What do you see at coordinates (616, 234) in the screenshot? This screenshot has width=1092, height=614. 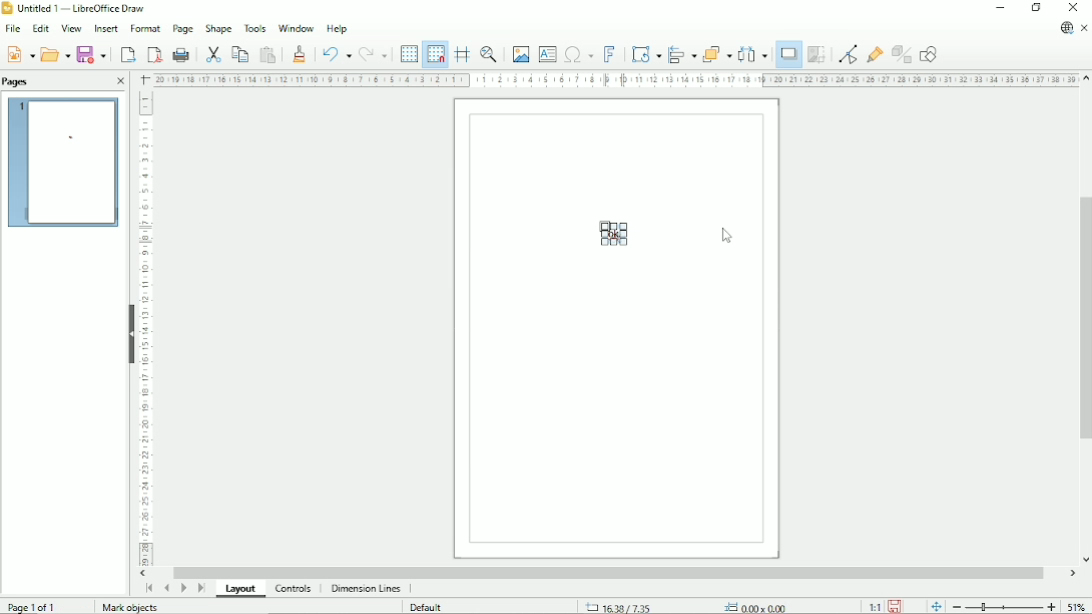 I see `ok Shadow effect applied` at bounding box center [616, 234].